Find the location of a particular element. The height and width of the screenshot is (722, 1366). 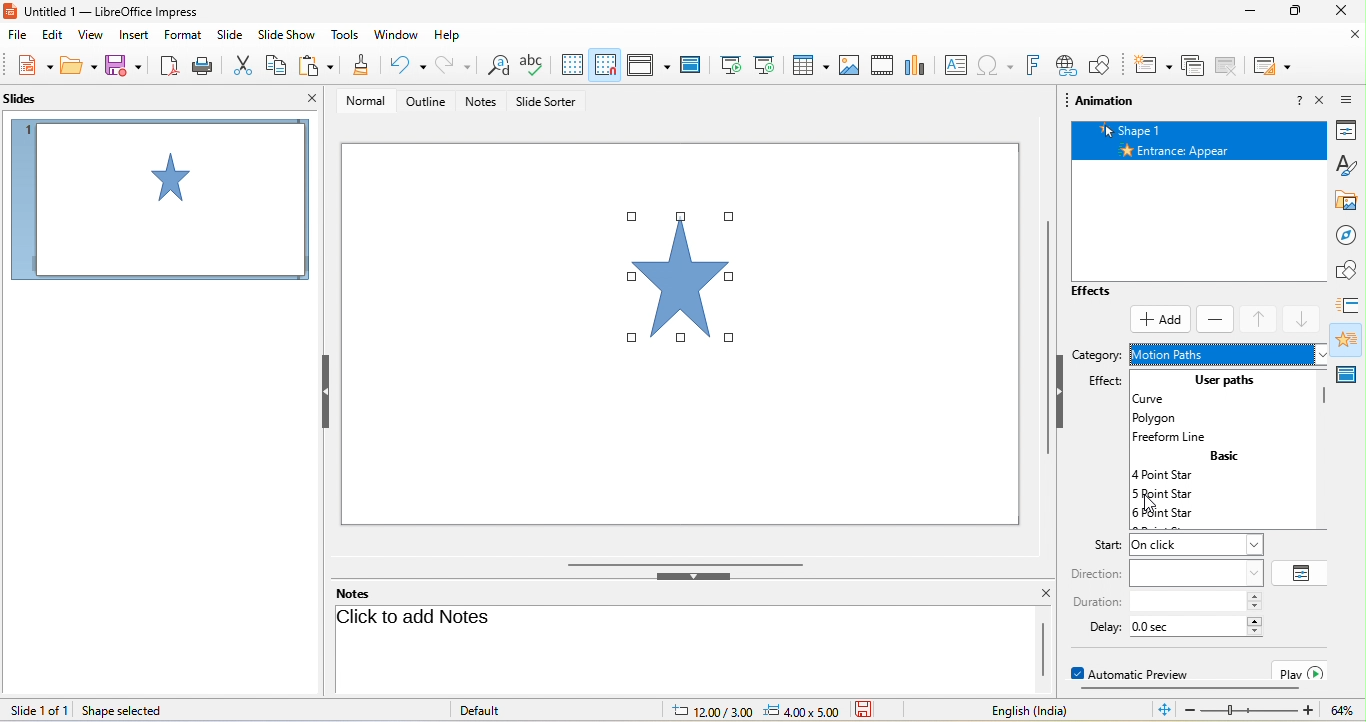

start from first slide is located at coordinates (728, 65).